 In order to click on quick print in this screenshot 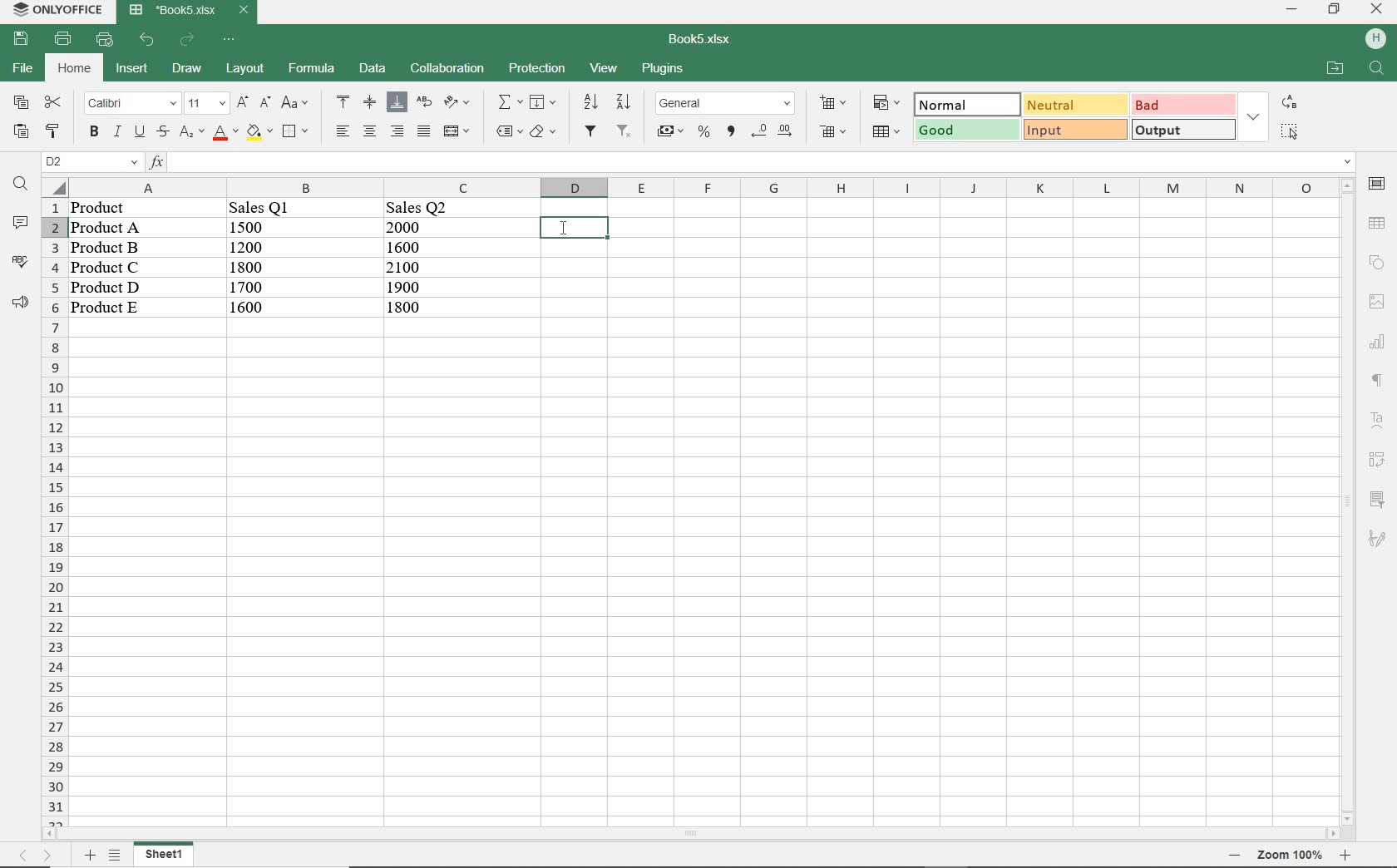, I will do `click(106, 38)`.